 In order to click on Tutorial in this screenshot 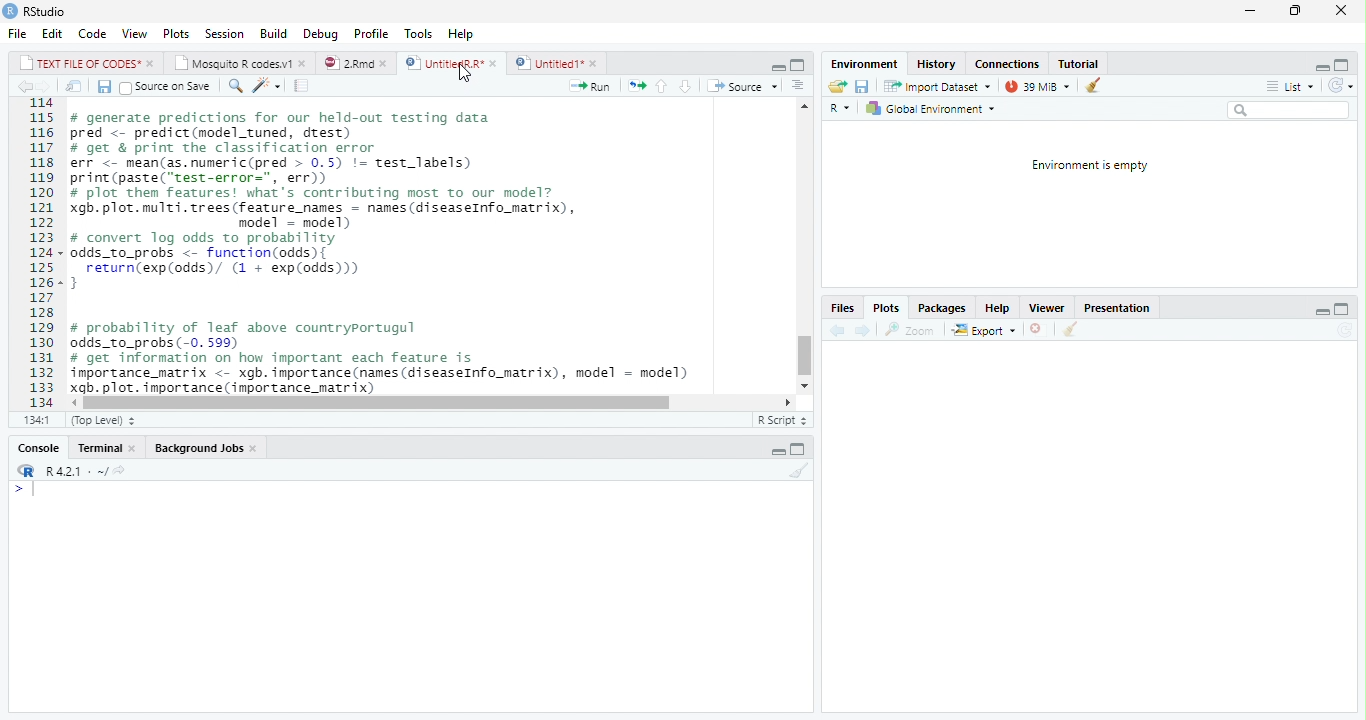, I will do `click(1081, 63)`.